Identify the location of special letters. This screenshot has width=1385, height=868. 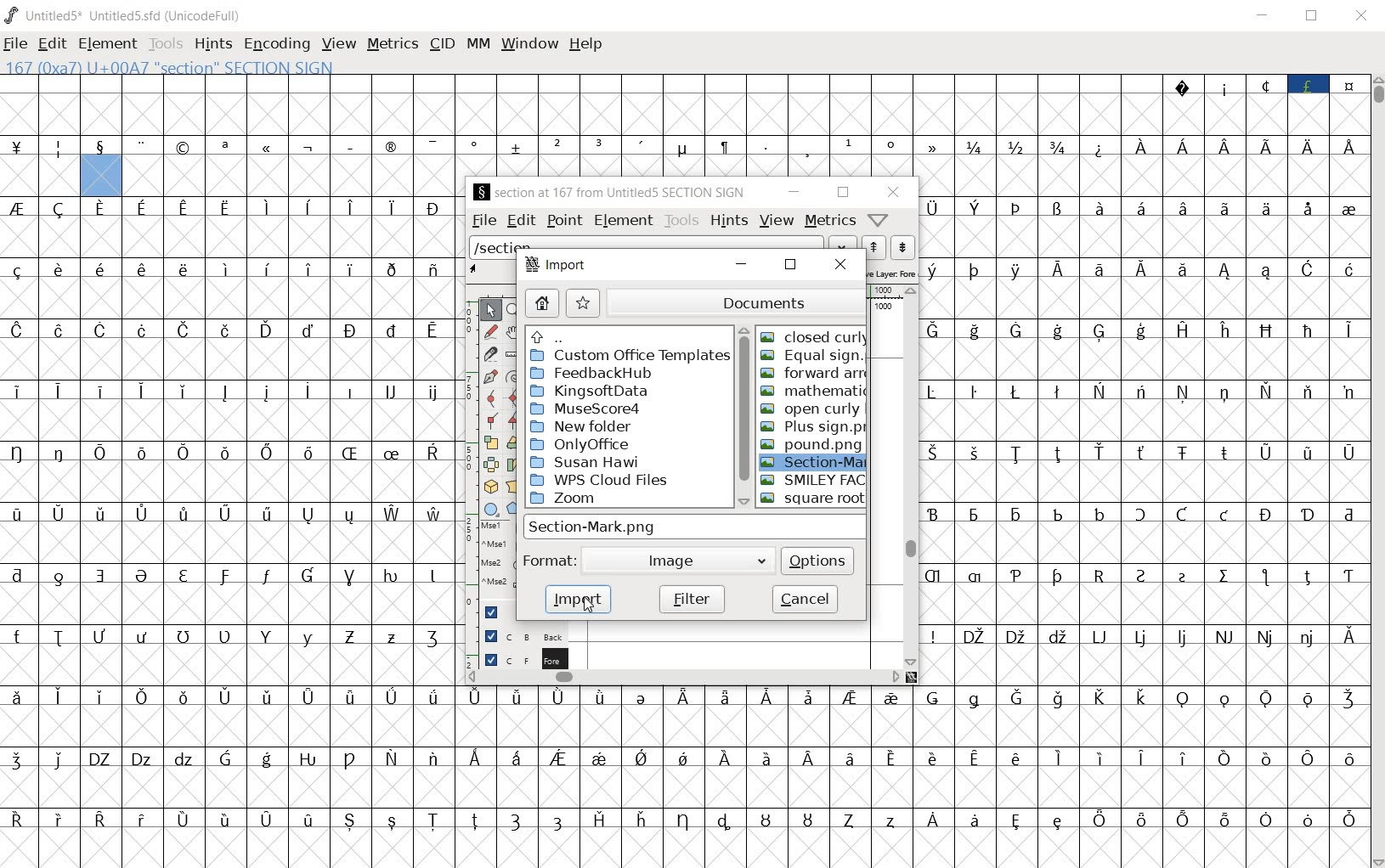
(1144, 511).